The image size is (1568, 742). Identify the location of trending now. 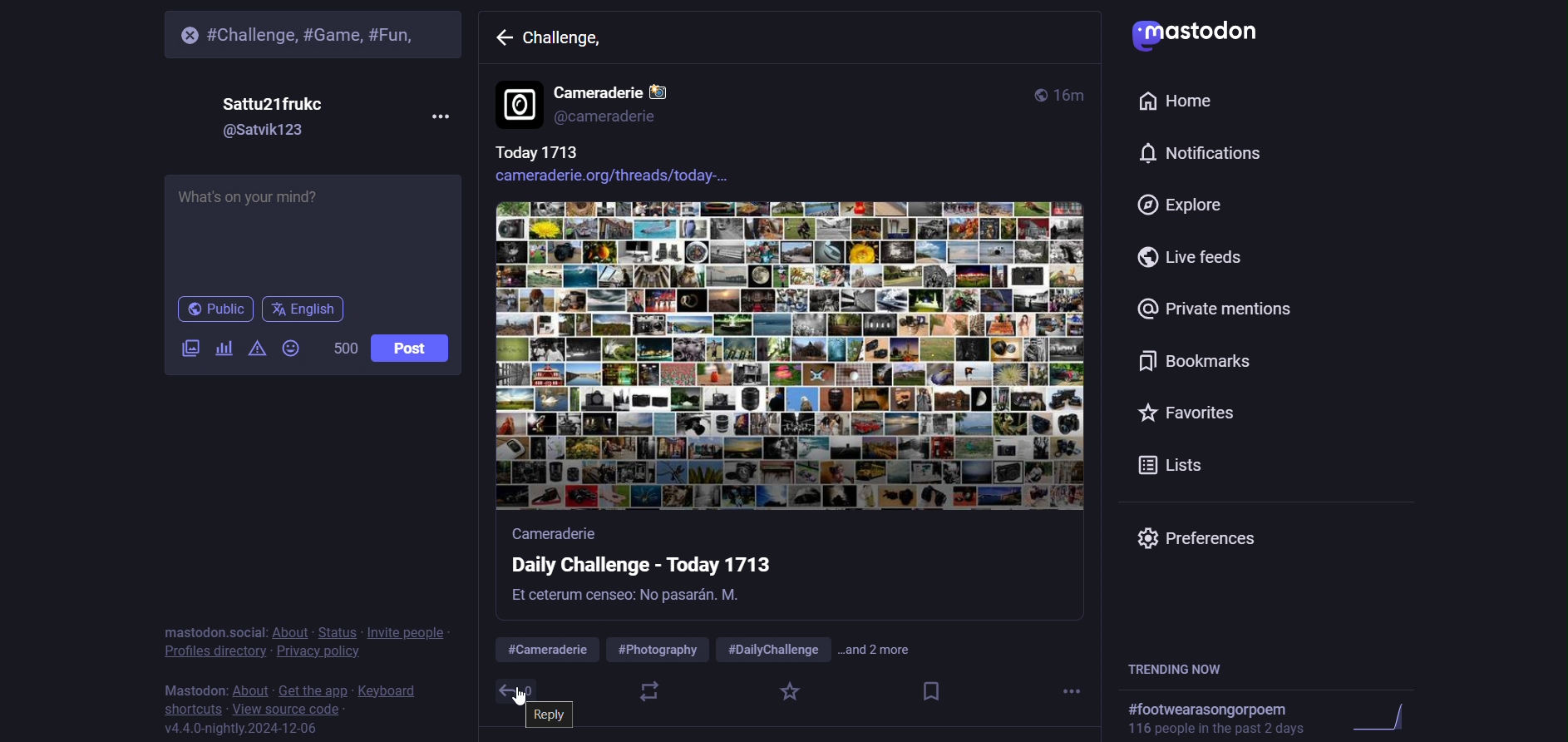
(1184, 668).